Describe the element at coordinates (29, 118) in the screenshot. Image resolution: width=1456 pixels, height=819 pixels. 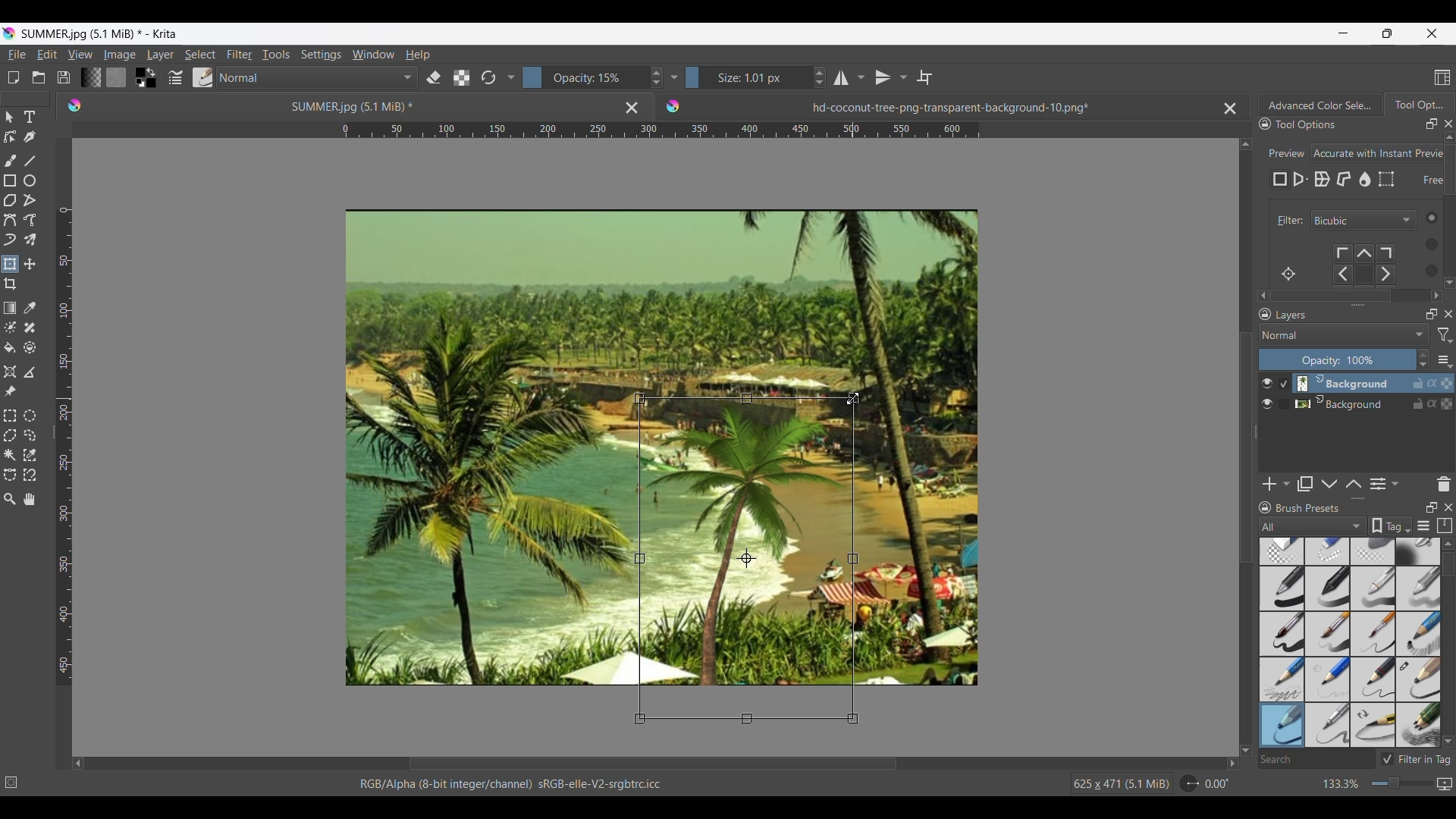
I see `Text tool` at that location.